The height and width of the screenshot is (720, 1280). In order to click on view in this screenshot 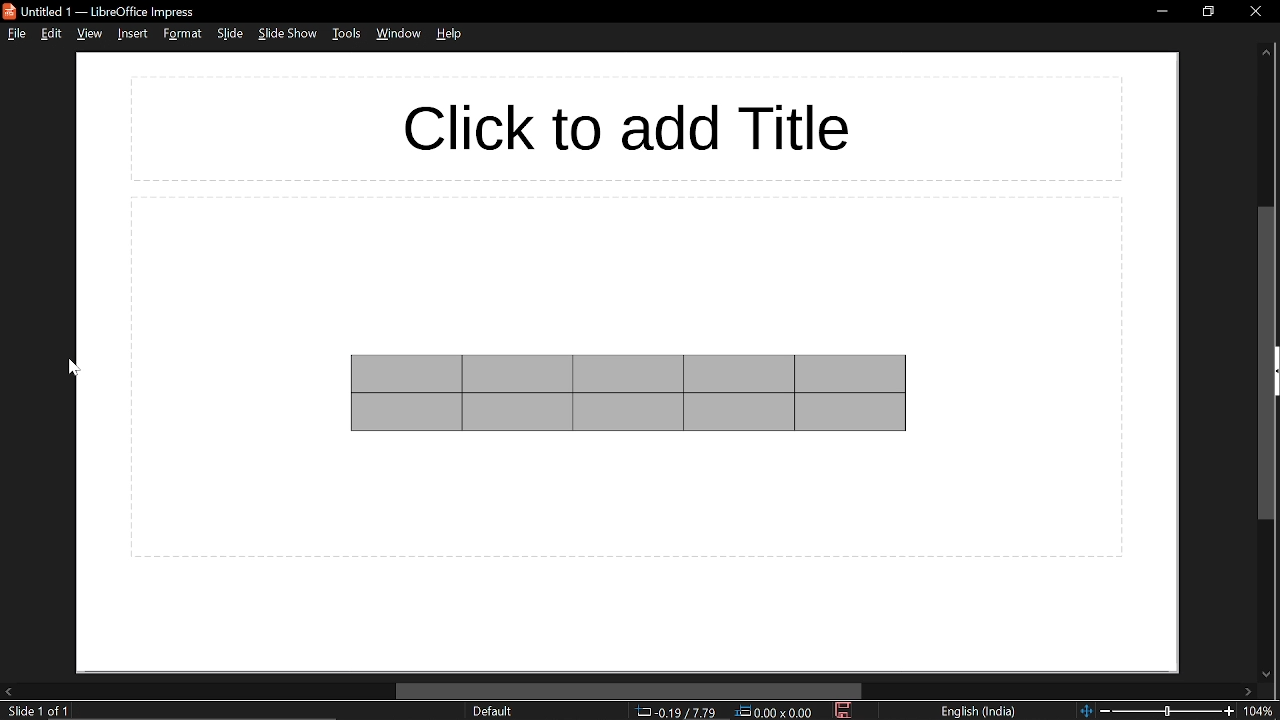, I will do `click(91, 33)`.